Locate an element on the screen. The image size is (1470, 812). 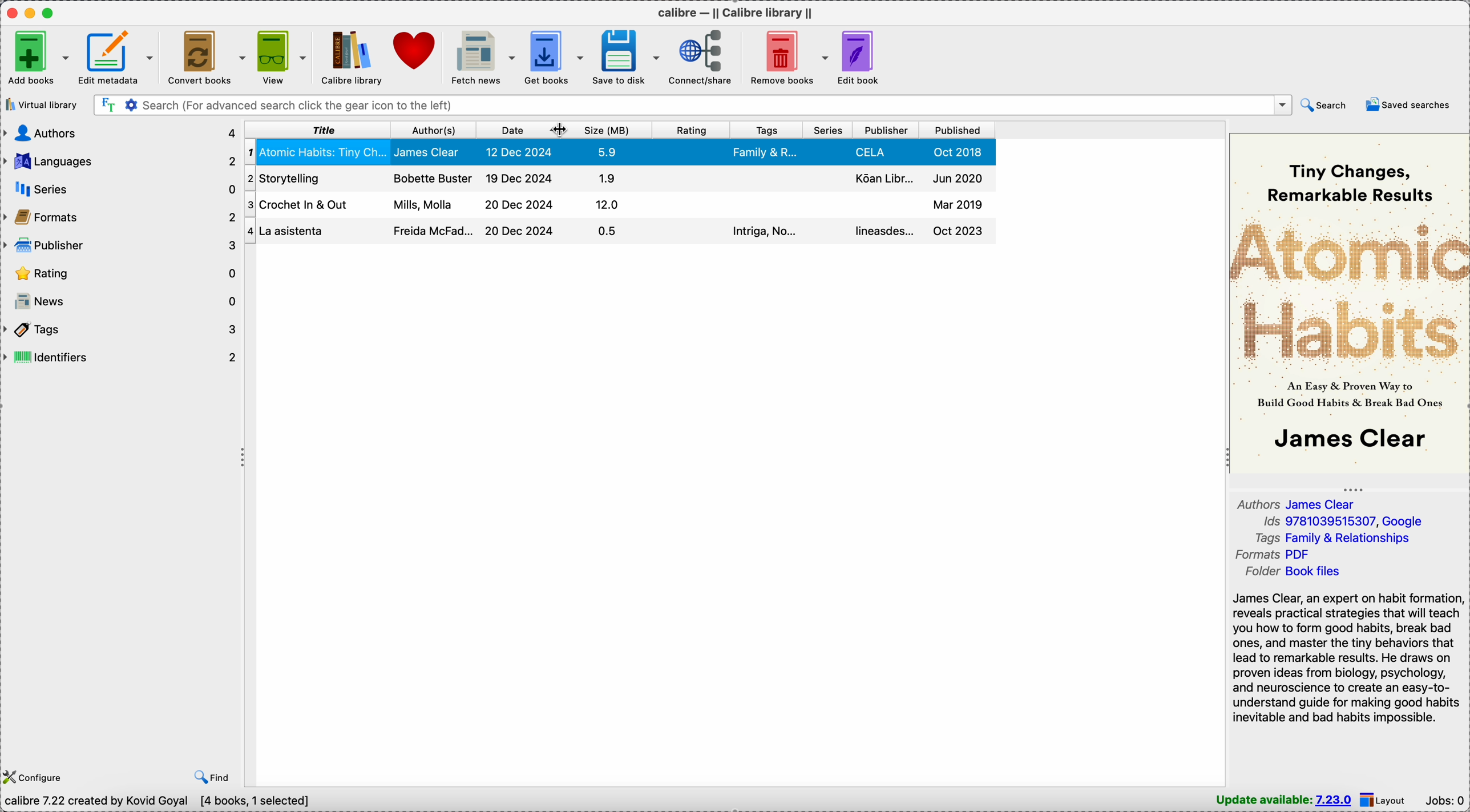
edit book is located at coordinates (860, 58).